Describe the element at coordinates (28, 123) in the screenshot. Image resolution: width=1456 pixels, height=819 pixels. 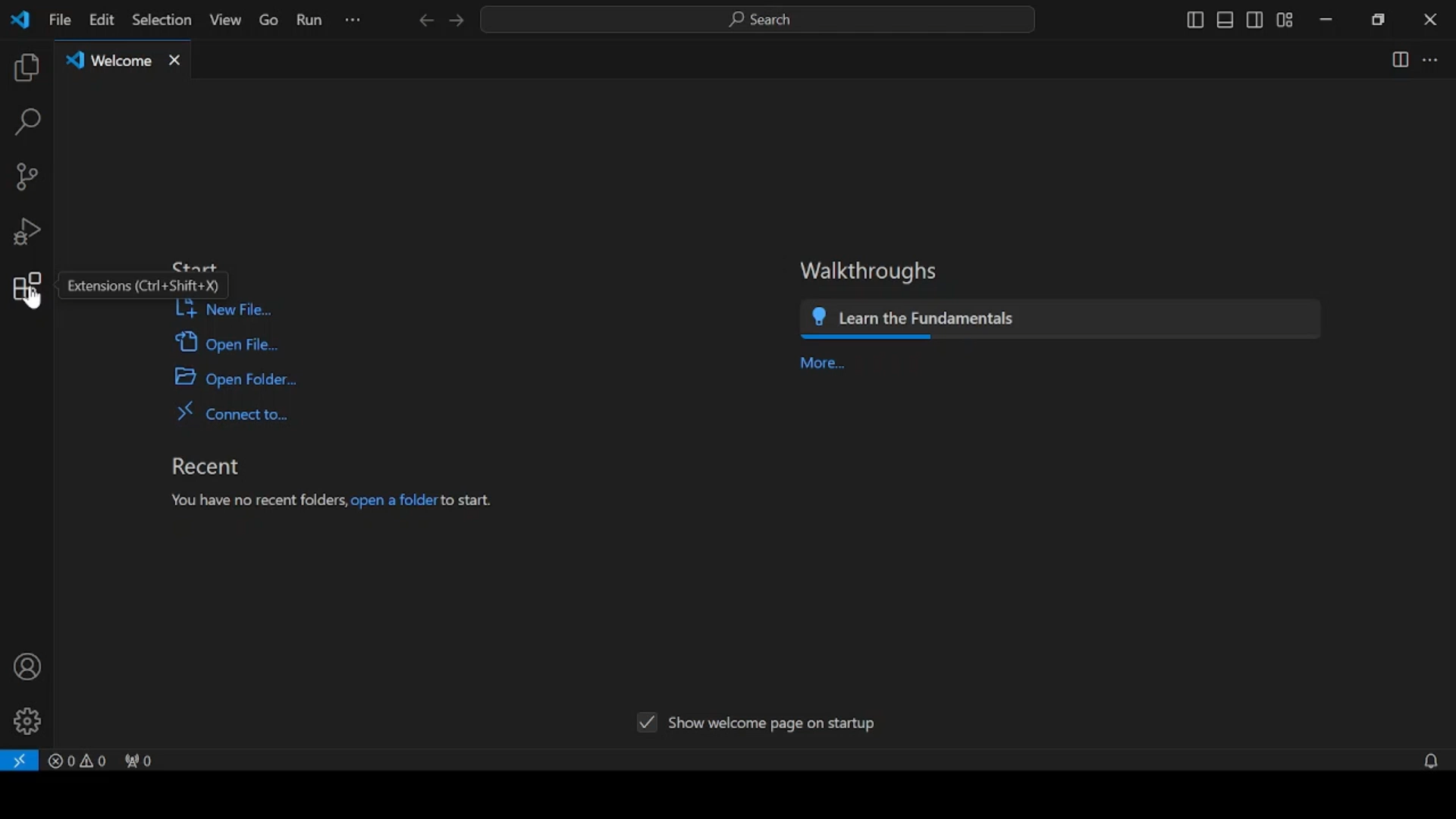
I see `search` at that location.